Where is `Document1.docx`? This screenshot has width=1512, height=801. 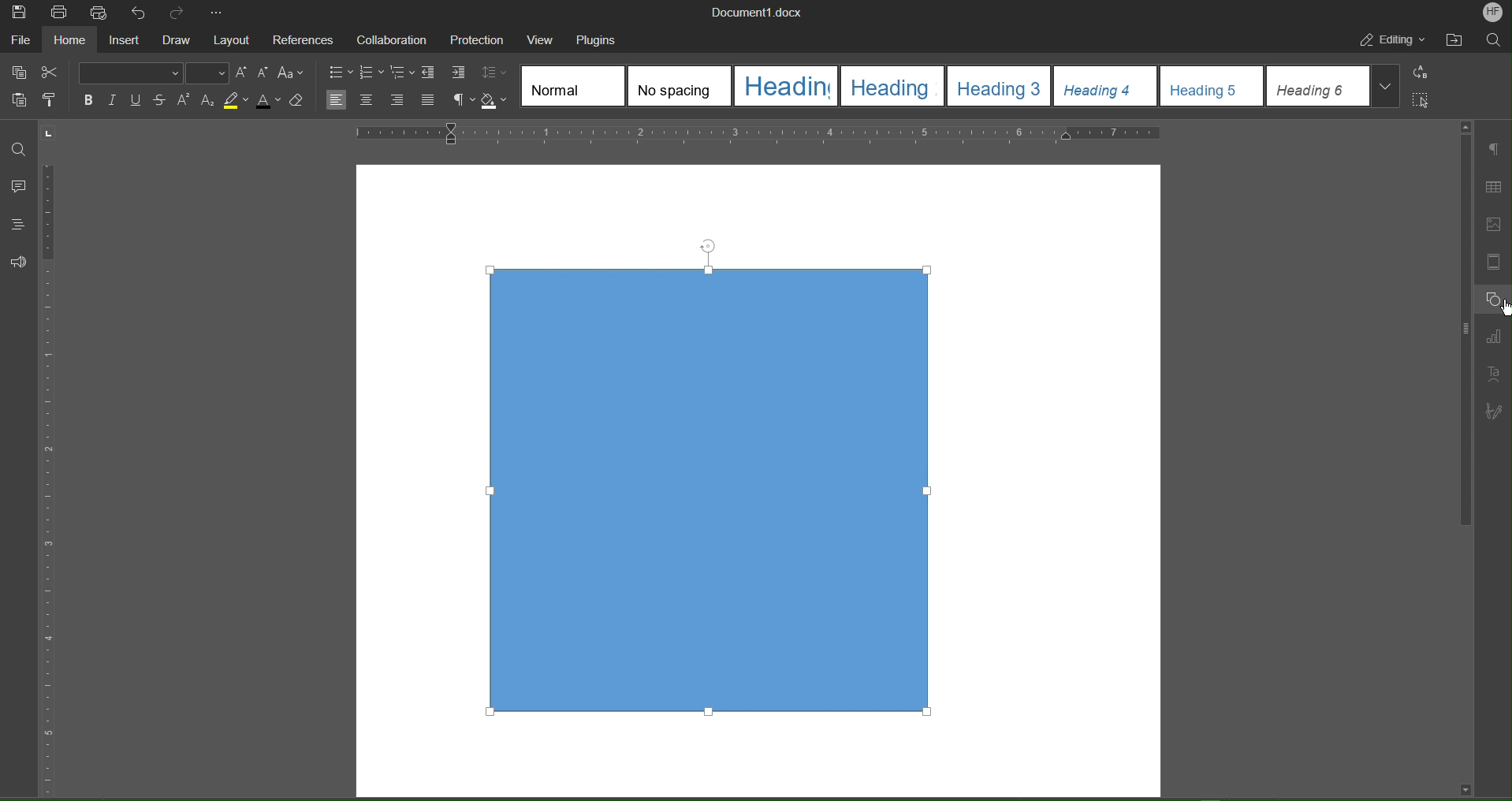
Document1.docx is located at coordinates (767, 13).